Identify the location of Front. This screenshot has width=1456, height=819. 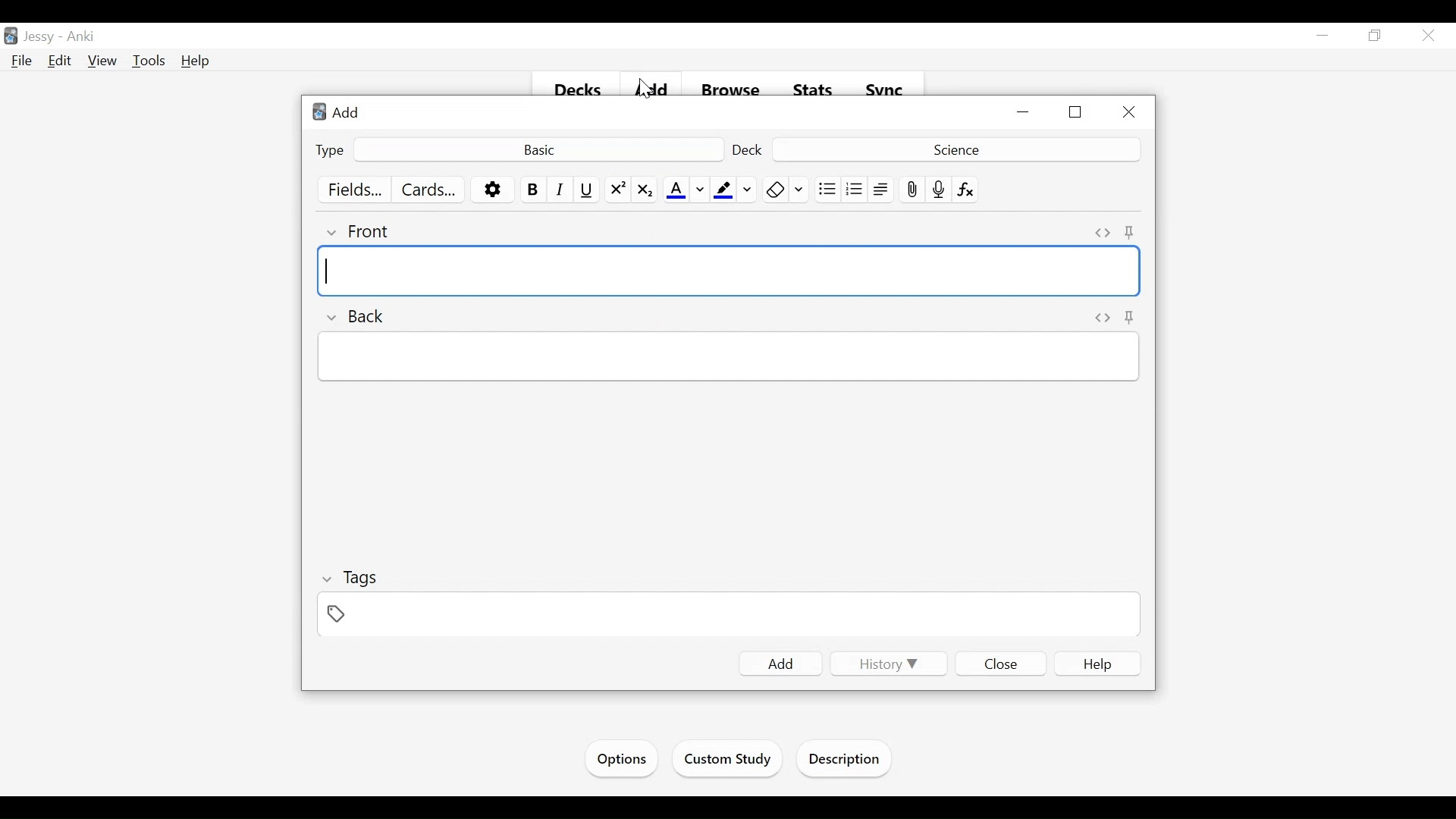
(359, 231).